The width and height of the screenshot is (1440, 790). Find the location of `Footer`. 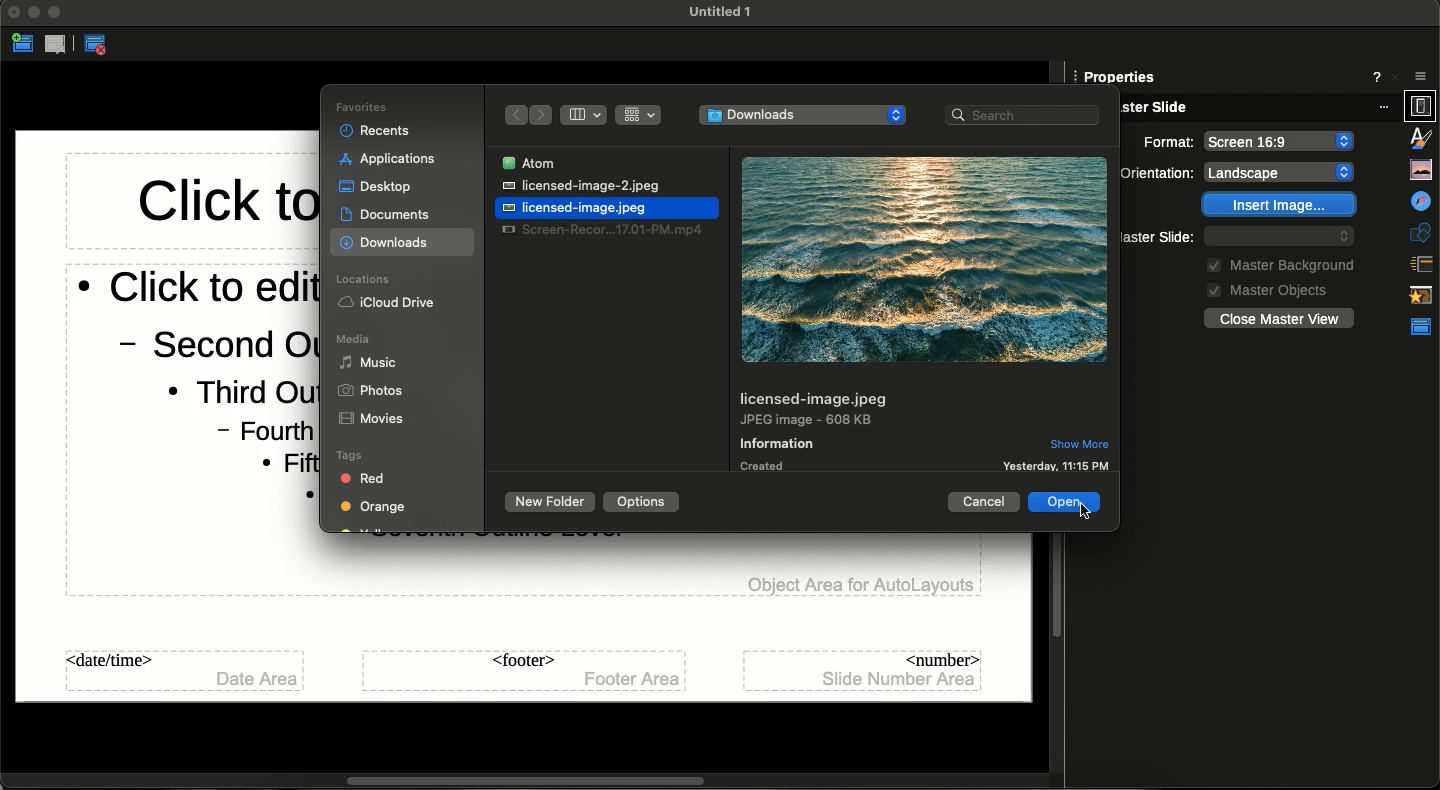

Footer is located at coordinates (525, 670).